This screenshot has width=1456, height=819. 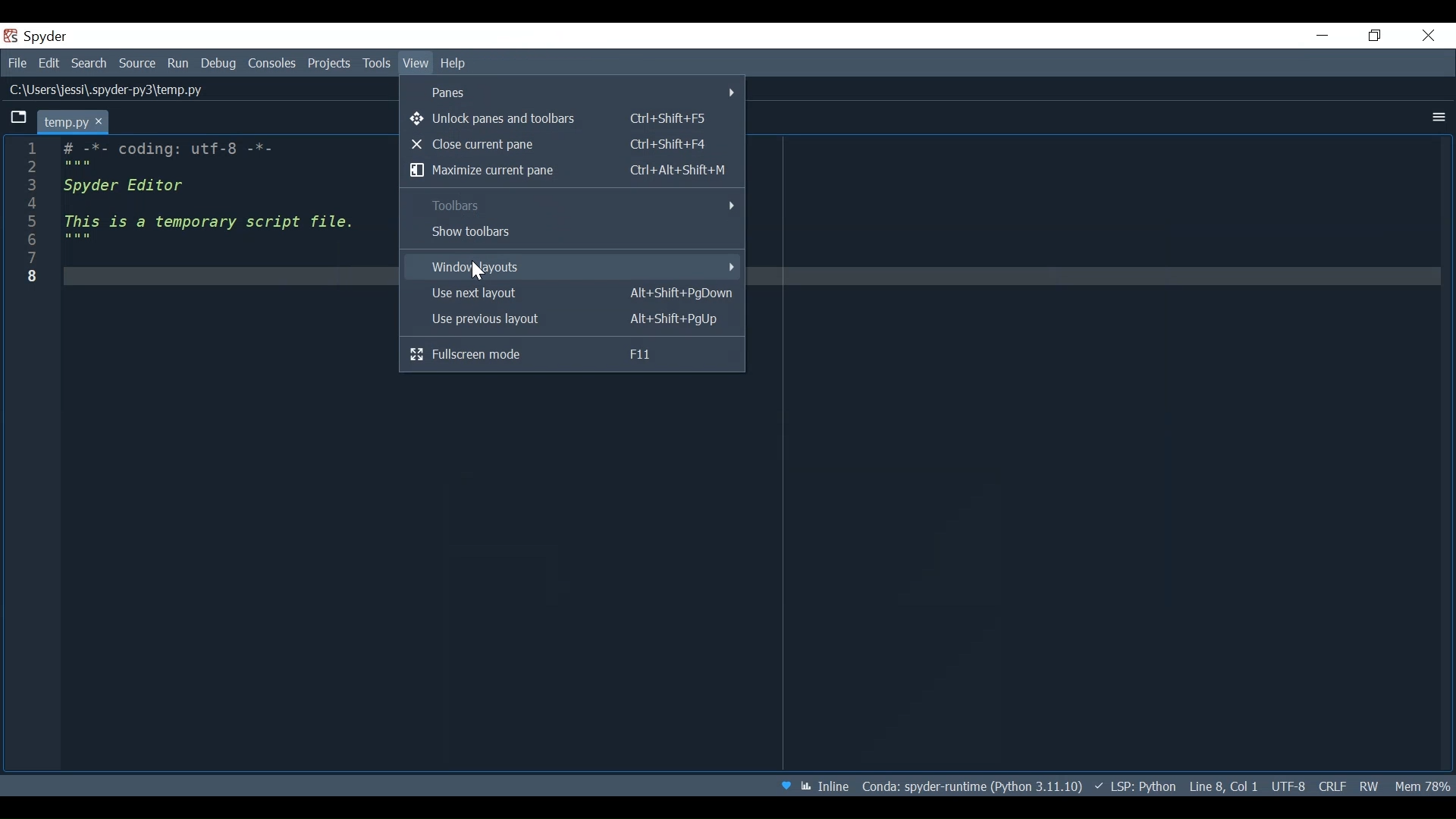 I want to click on Cursor Position, so click(x=1223, y=786).